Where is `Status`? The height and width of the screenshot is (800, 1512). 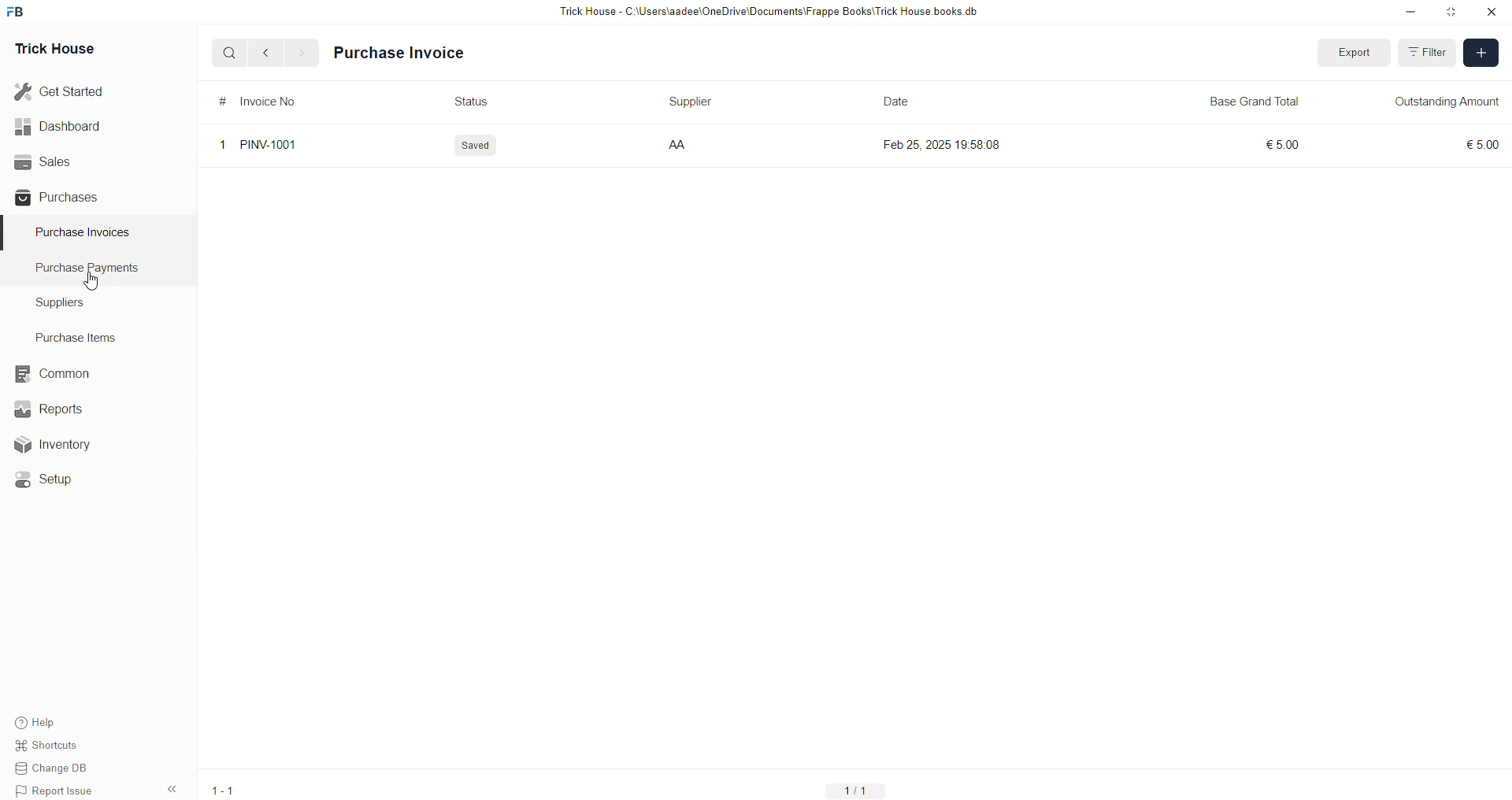
Status is located at coordinates (476, 101).